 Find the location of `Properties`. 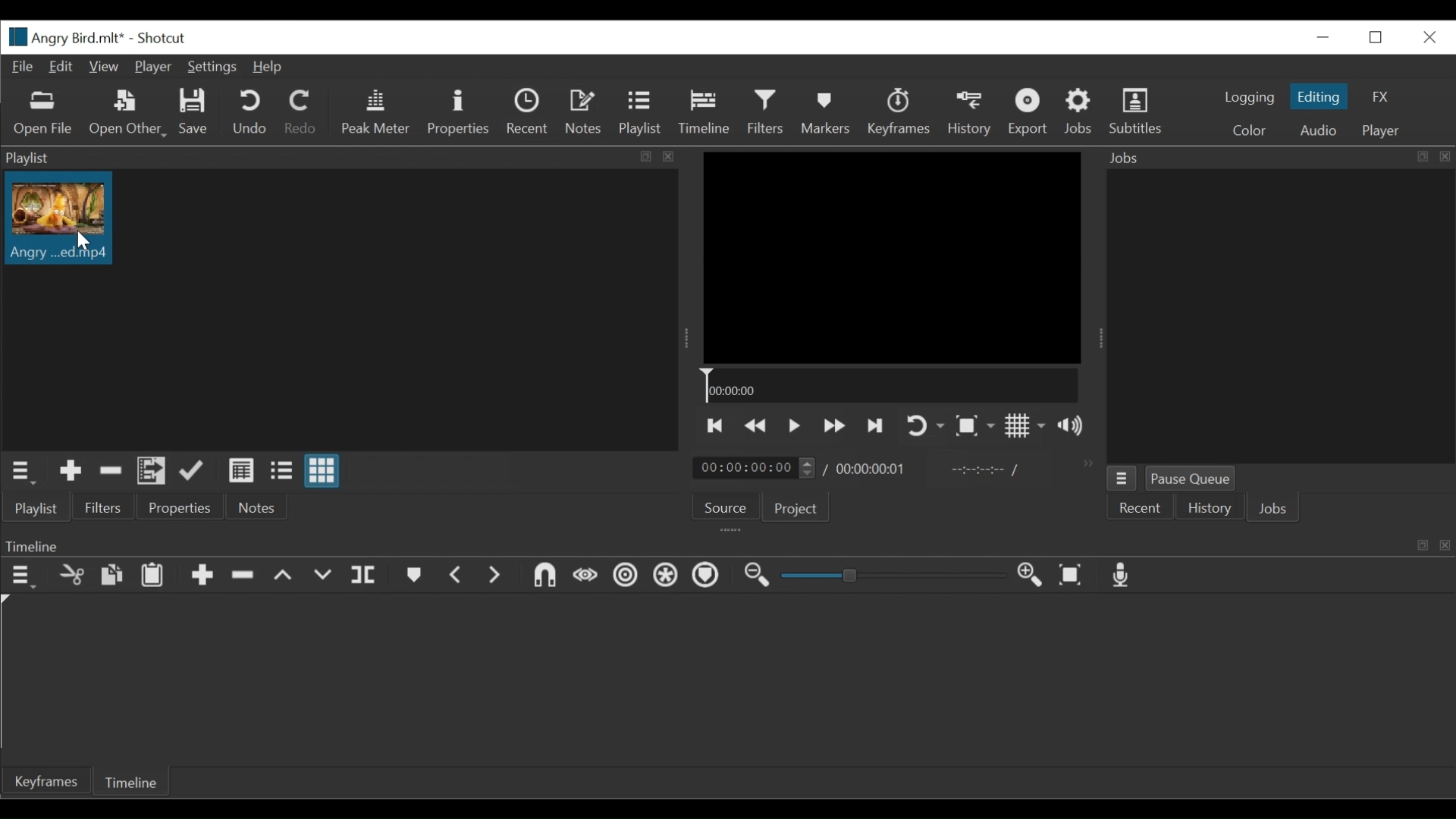

Properties is located at coordinates (459, 113).